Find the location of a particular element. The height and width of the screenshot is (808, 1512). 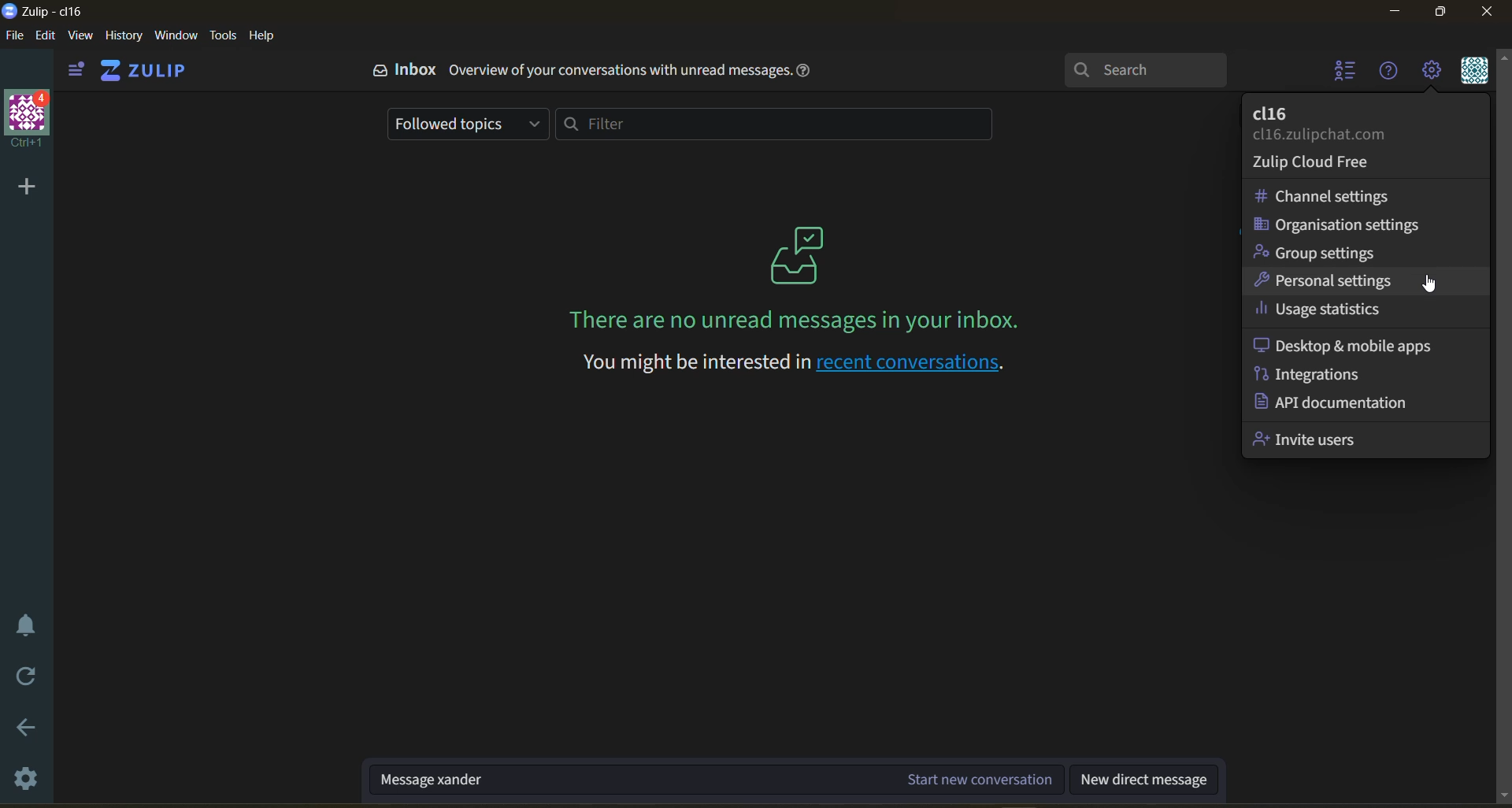

Inbox is located at coordinates (418, 69).